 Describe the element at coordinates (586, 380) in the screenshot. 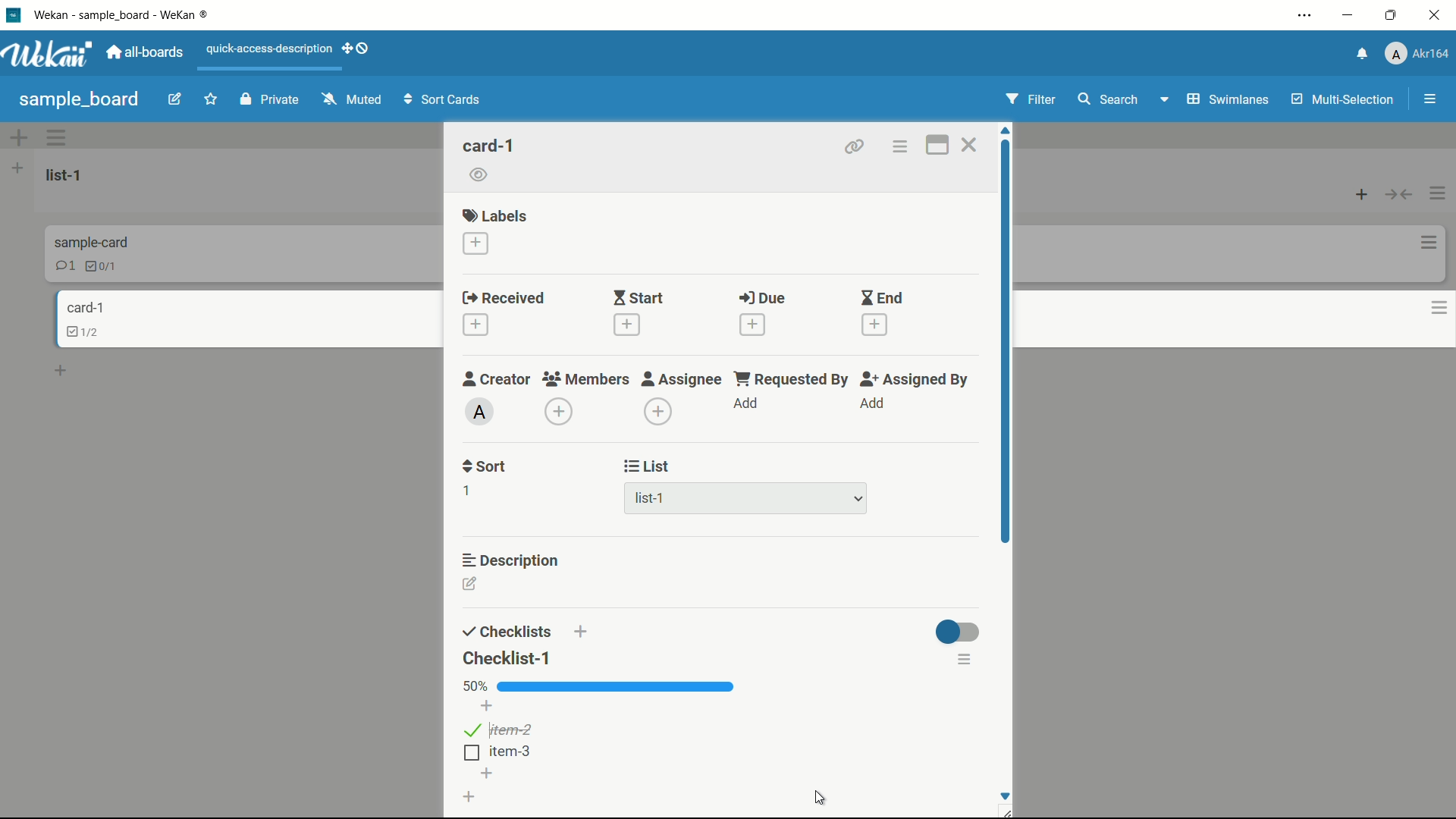

I see `members` at that location.